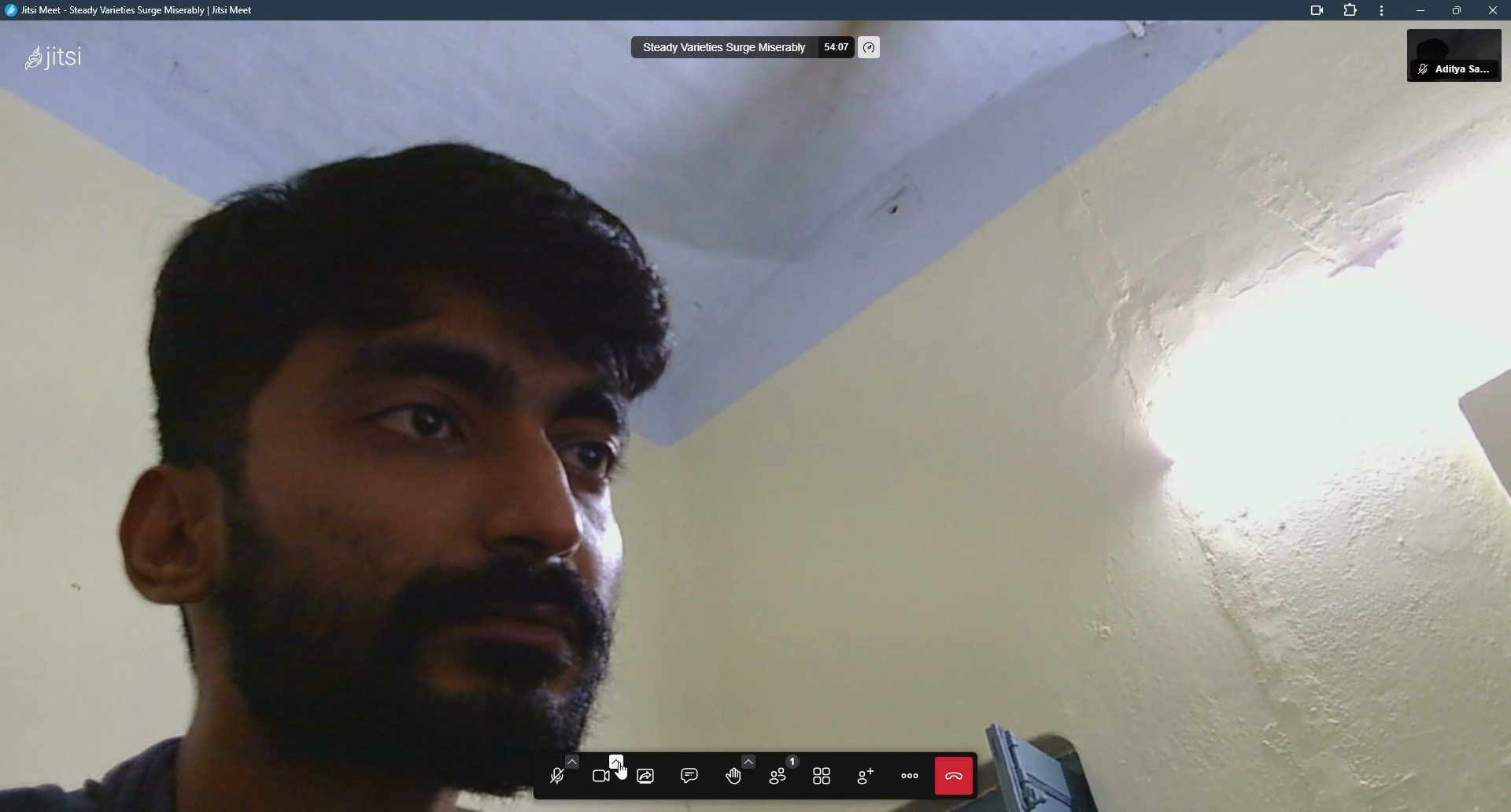  Describe the element at coordinates (1492, 10) in the screenshot. I see `close` at that location.